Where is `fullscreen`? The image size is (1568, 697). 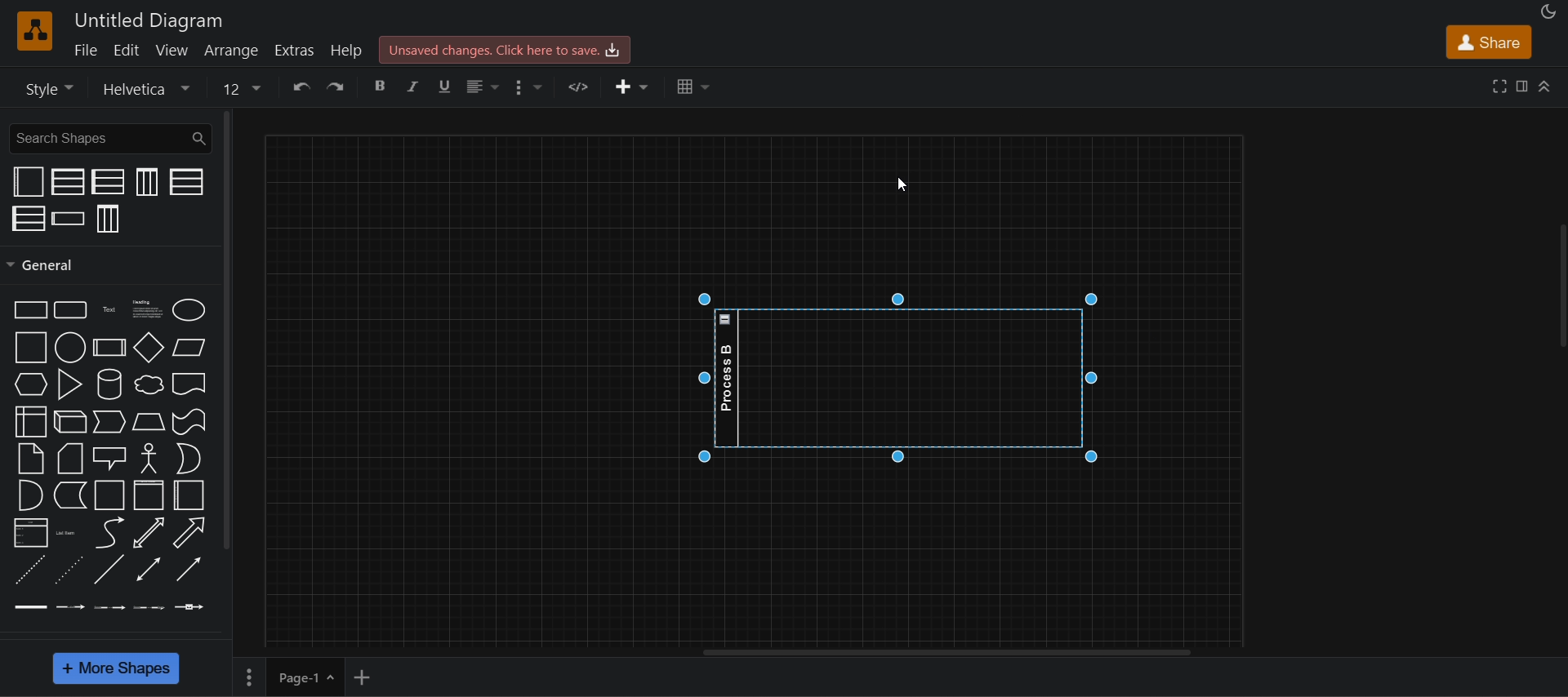 fullscreen is located at coordinates (1501, 85).